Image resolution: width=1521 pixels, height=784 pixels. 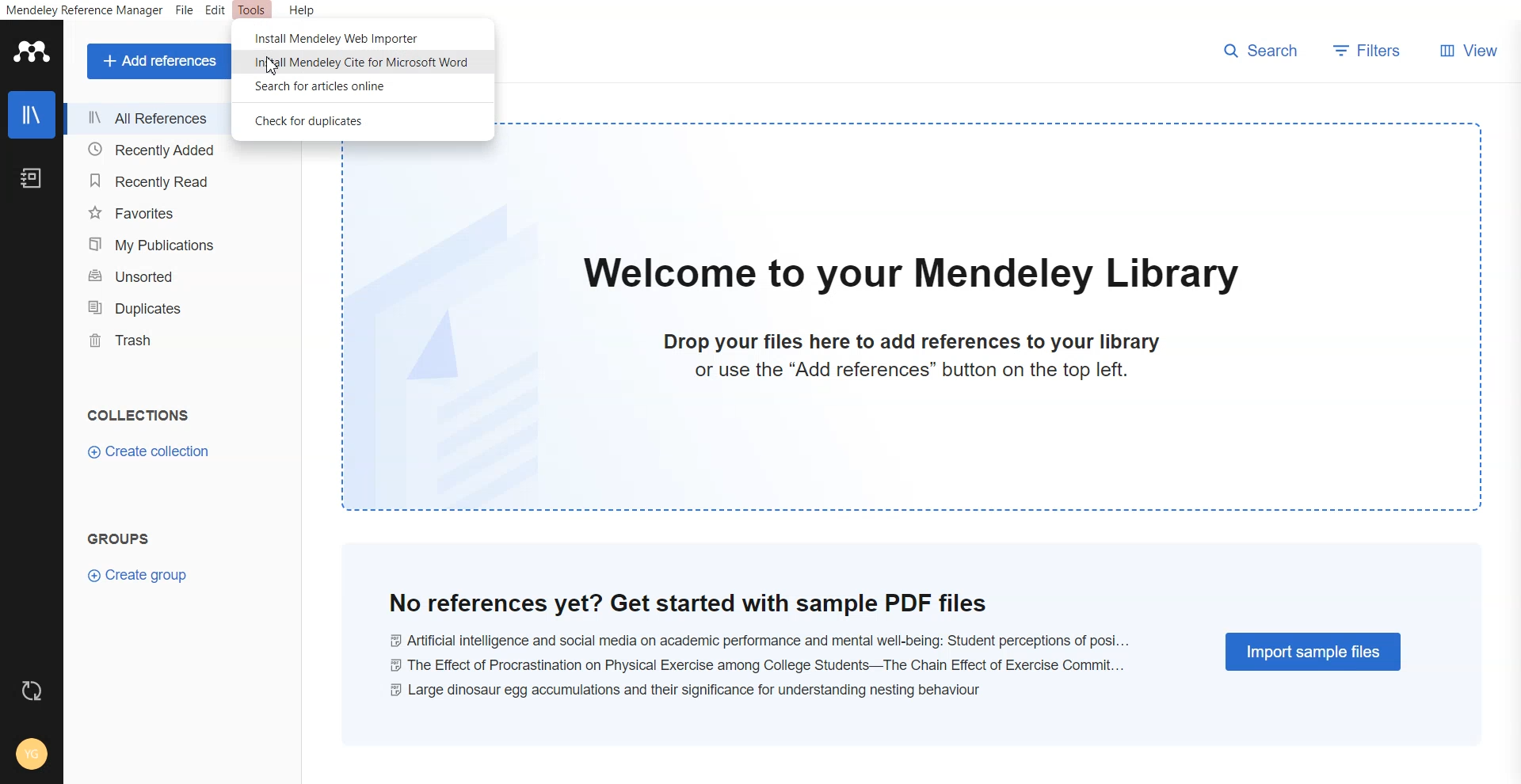 I want to click on Tools, so click(x=253, y=10).